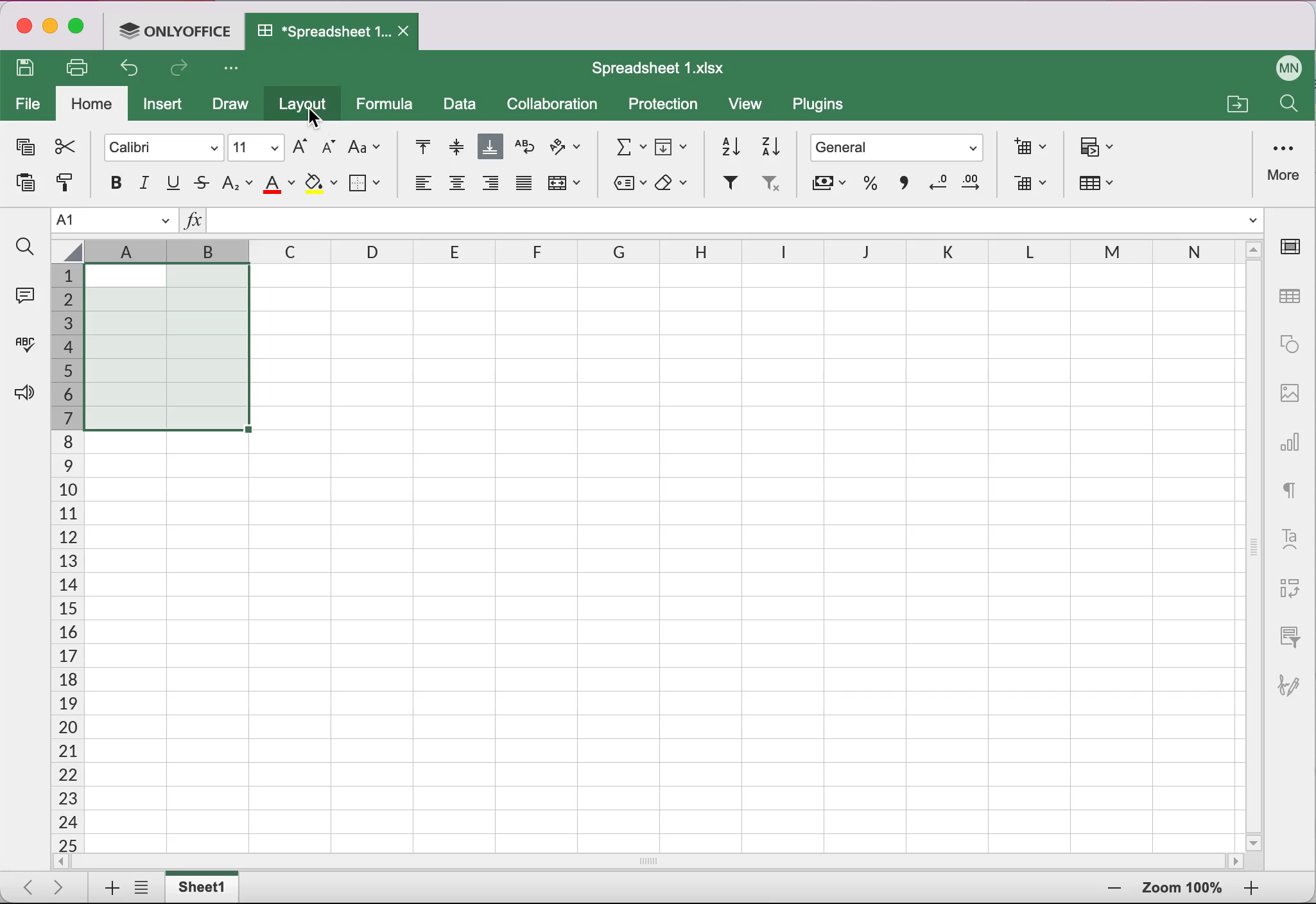 The width and height of the screenshot is (1316, 904). I want to click on text, so click(1290, 487).